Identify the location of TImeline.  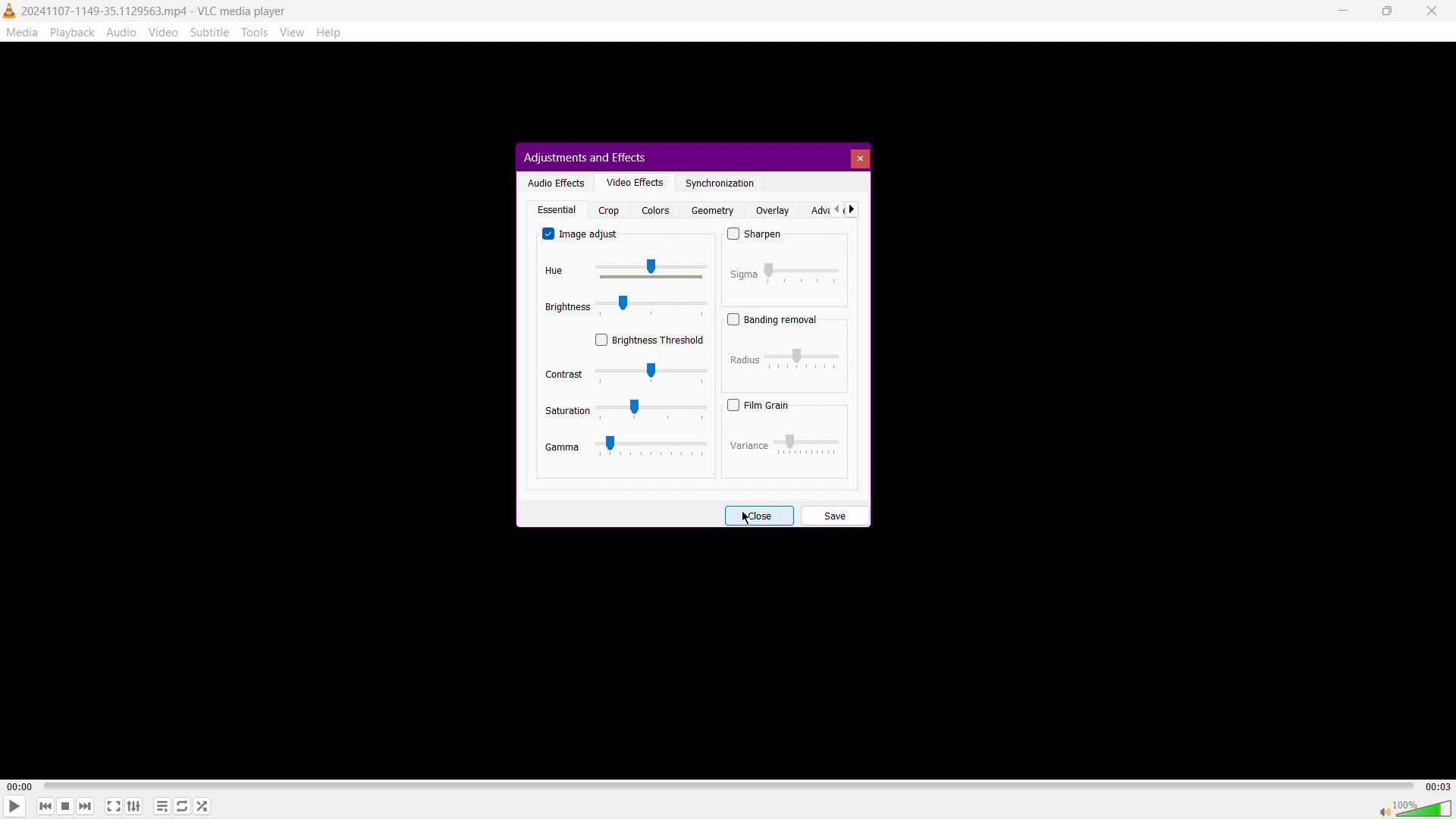
(730, 784).